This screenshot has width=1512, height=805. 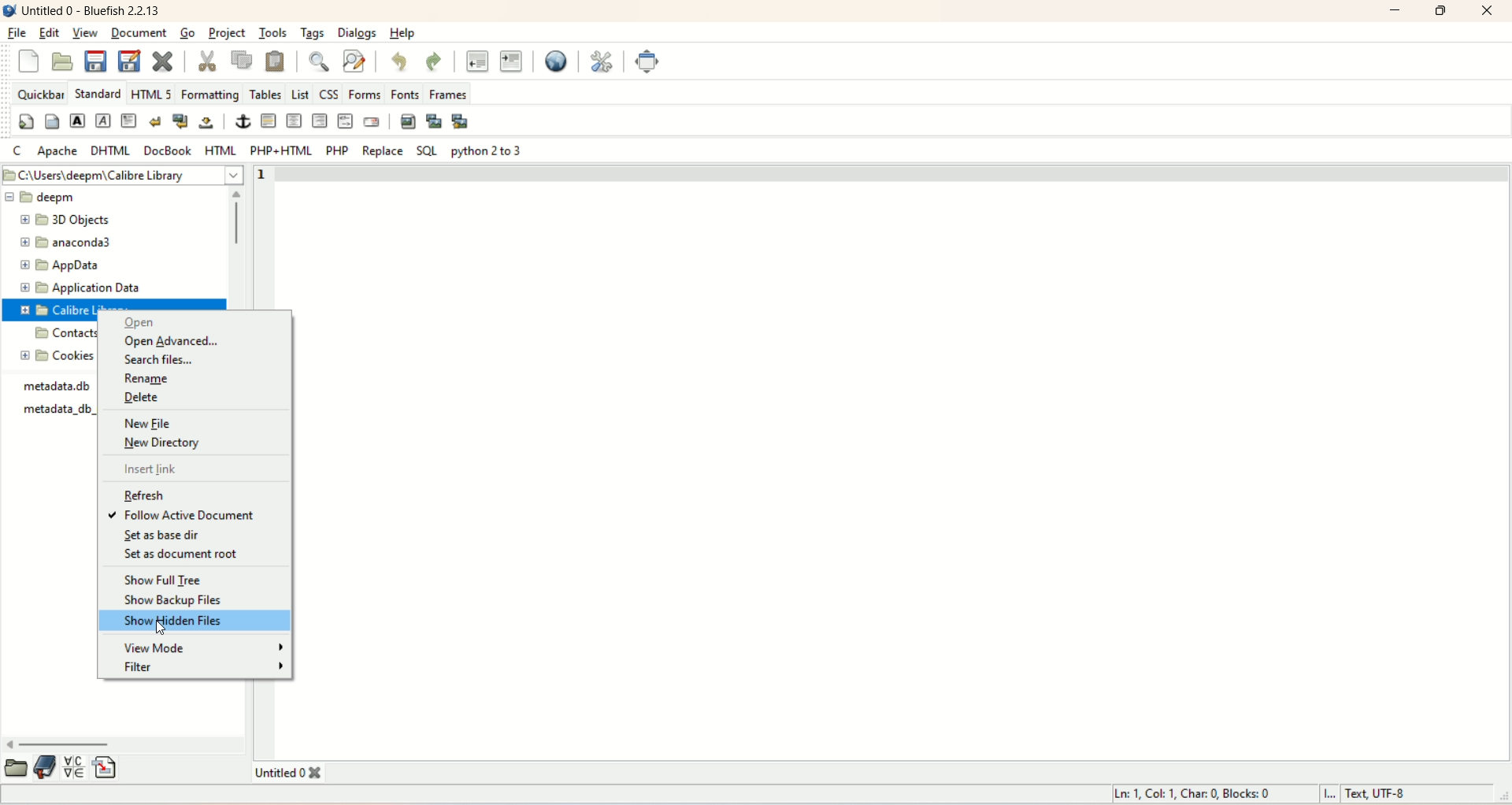 I want to click on 3D object, so click(x=60, y=220).